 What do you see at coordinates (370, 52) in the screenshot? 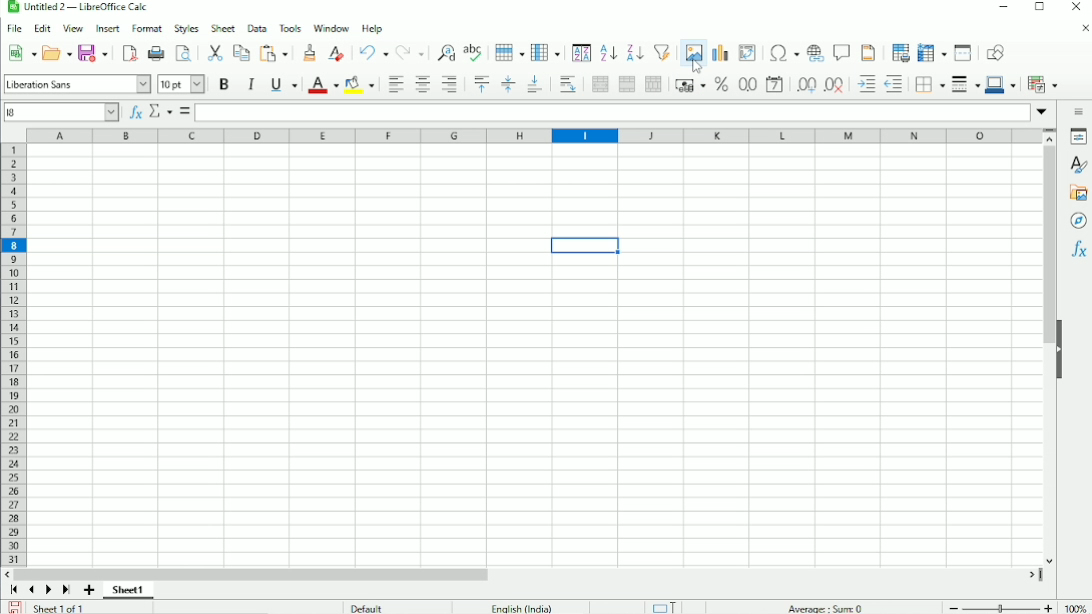
I see `undo` at bounding box center [370, 52].